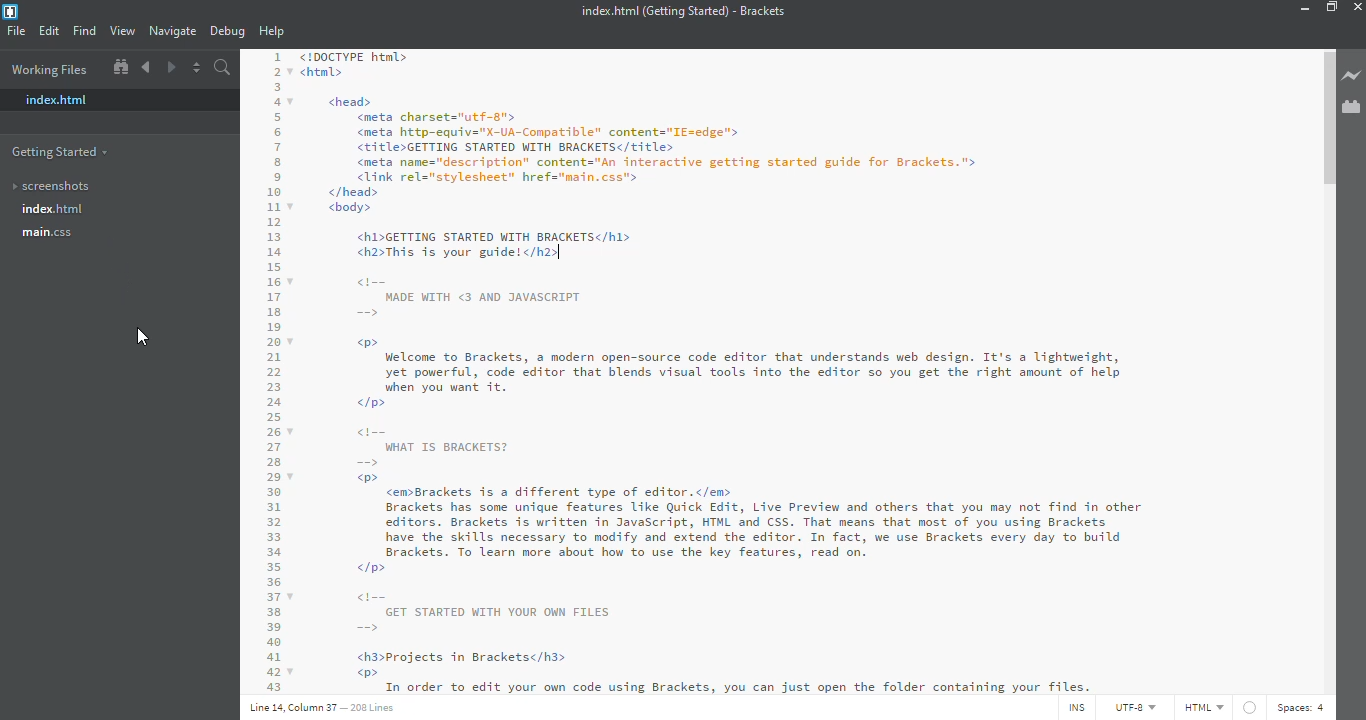 This screenshot has height=720, width=1366. Describe the element at coordinates (120, 67) in the screenshot. I see `show in file tree` at that location.